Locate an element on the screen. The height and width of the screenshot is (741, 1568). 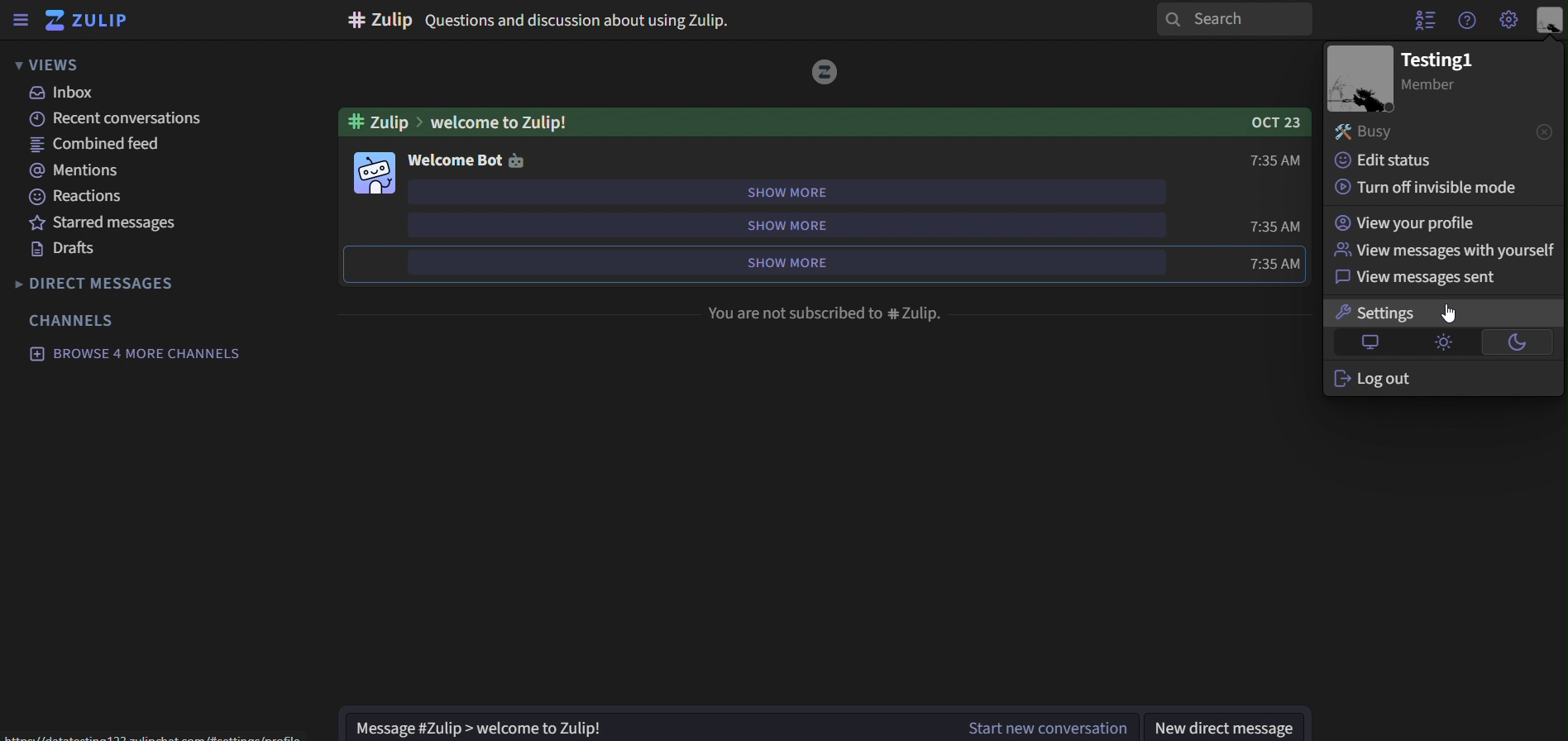
Personal menu is located at coordinates (1547, 22).